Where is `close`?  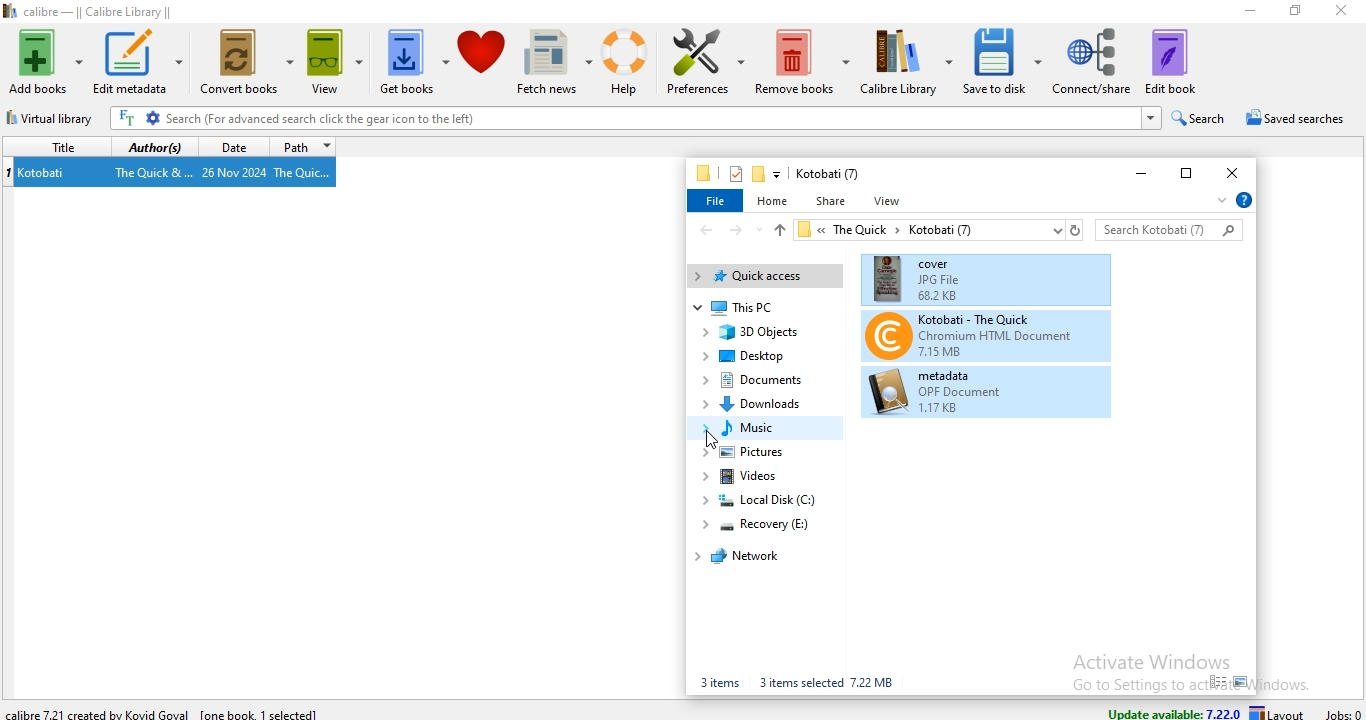
close is located at coordinates (1235, 170).